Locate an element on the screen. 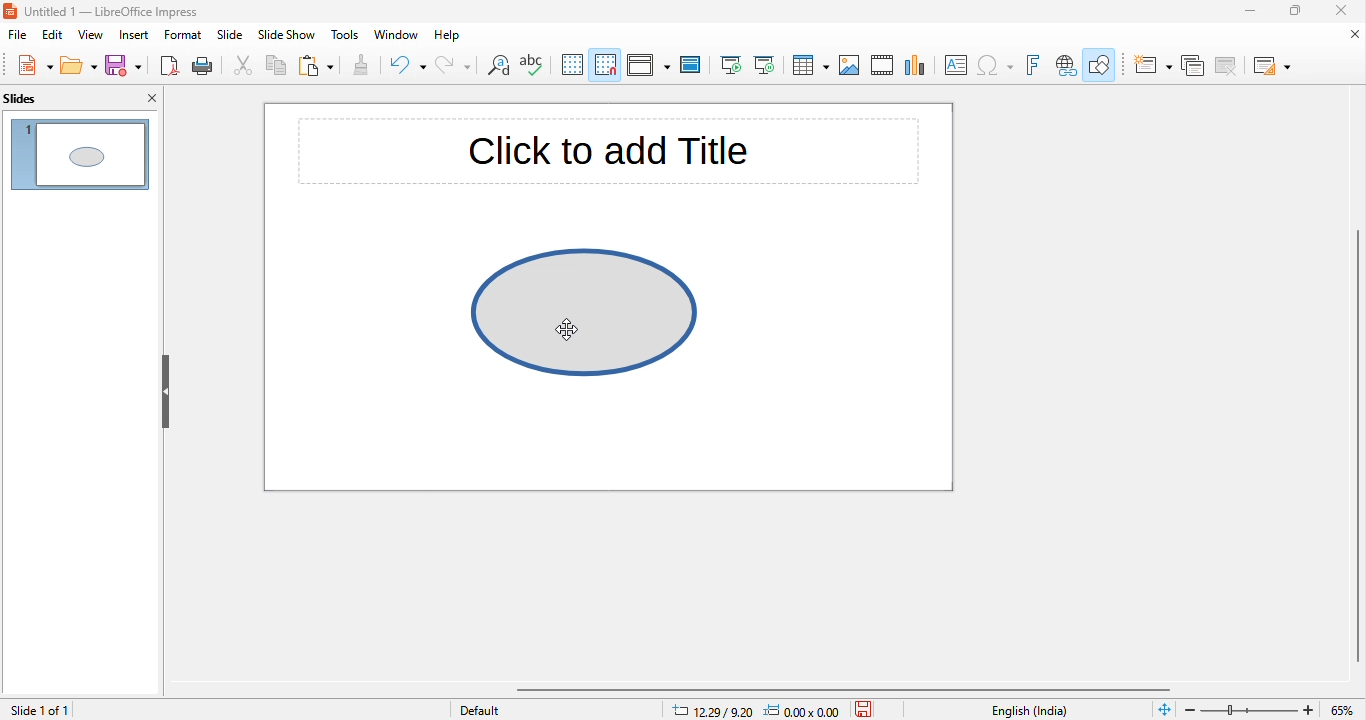 This screenshot has height=720, width=1366. find and replace is located at coordinates (496, 68).